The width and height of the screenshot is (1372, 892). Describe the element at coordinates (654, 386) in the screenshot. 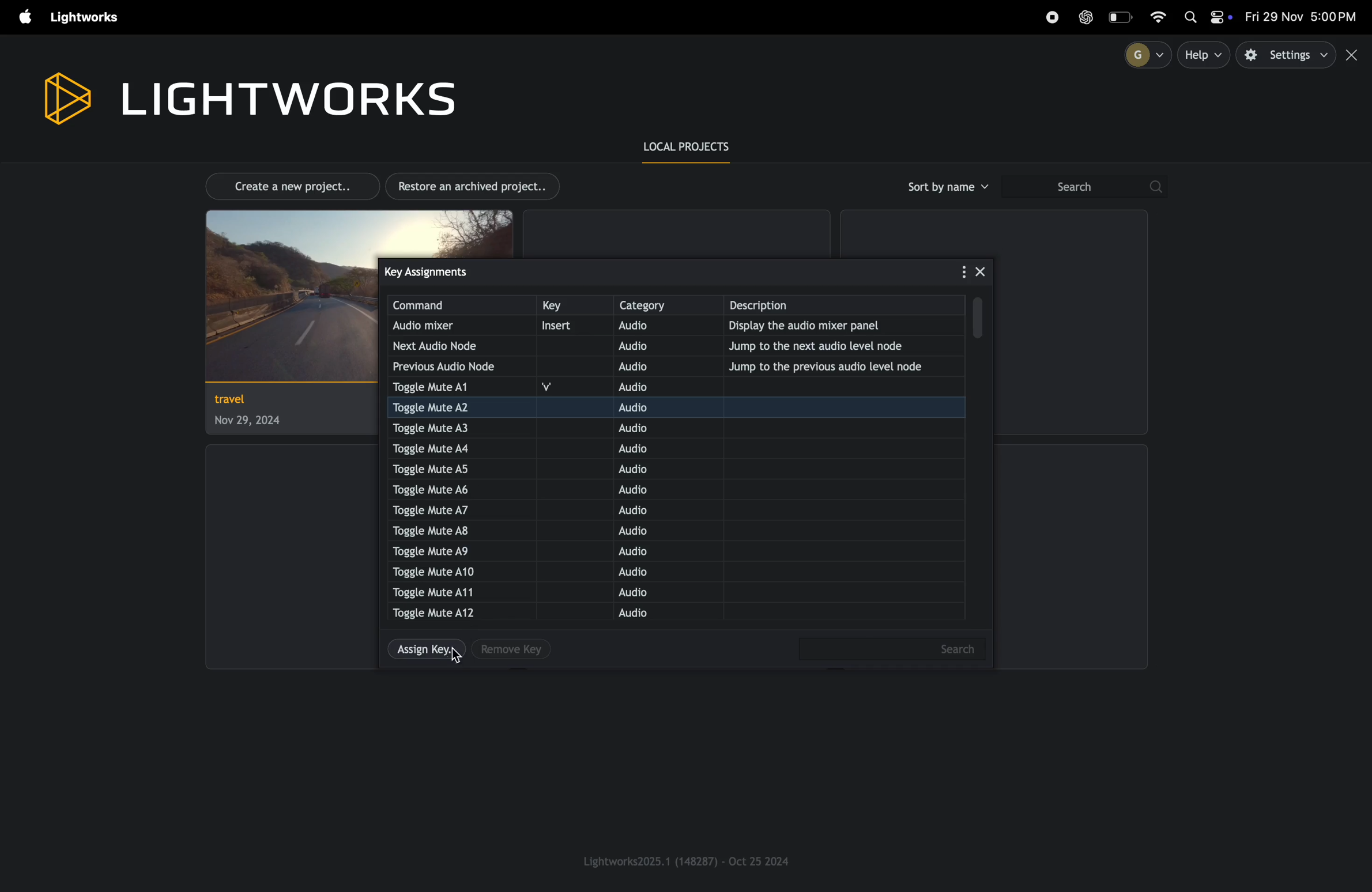

I see `audio` at that location.